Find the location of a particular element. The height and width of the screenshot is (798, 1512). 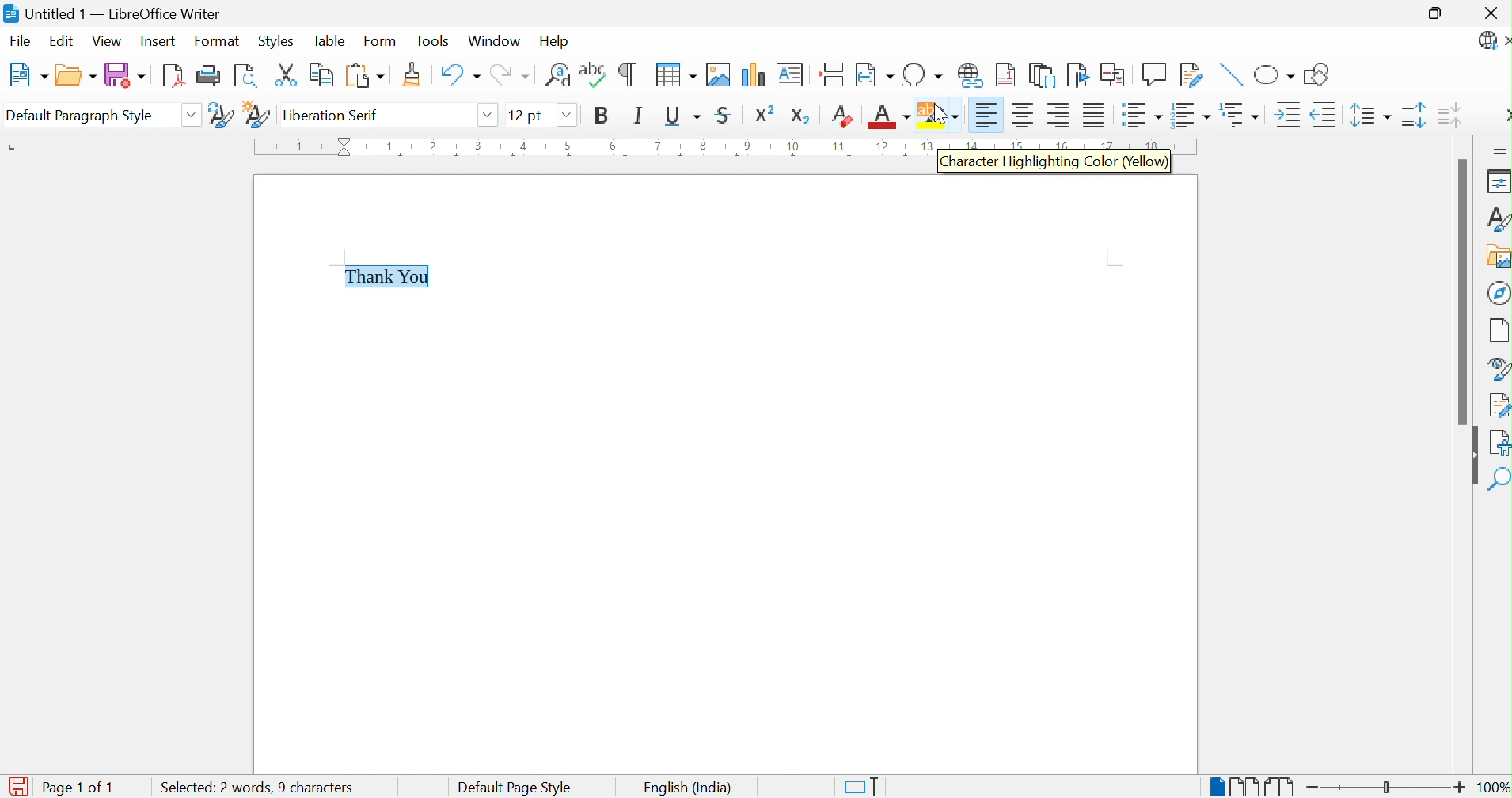

New Style from Selection is located at coordinates (256, 113).